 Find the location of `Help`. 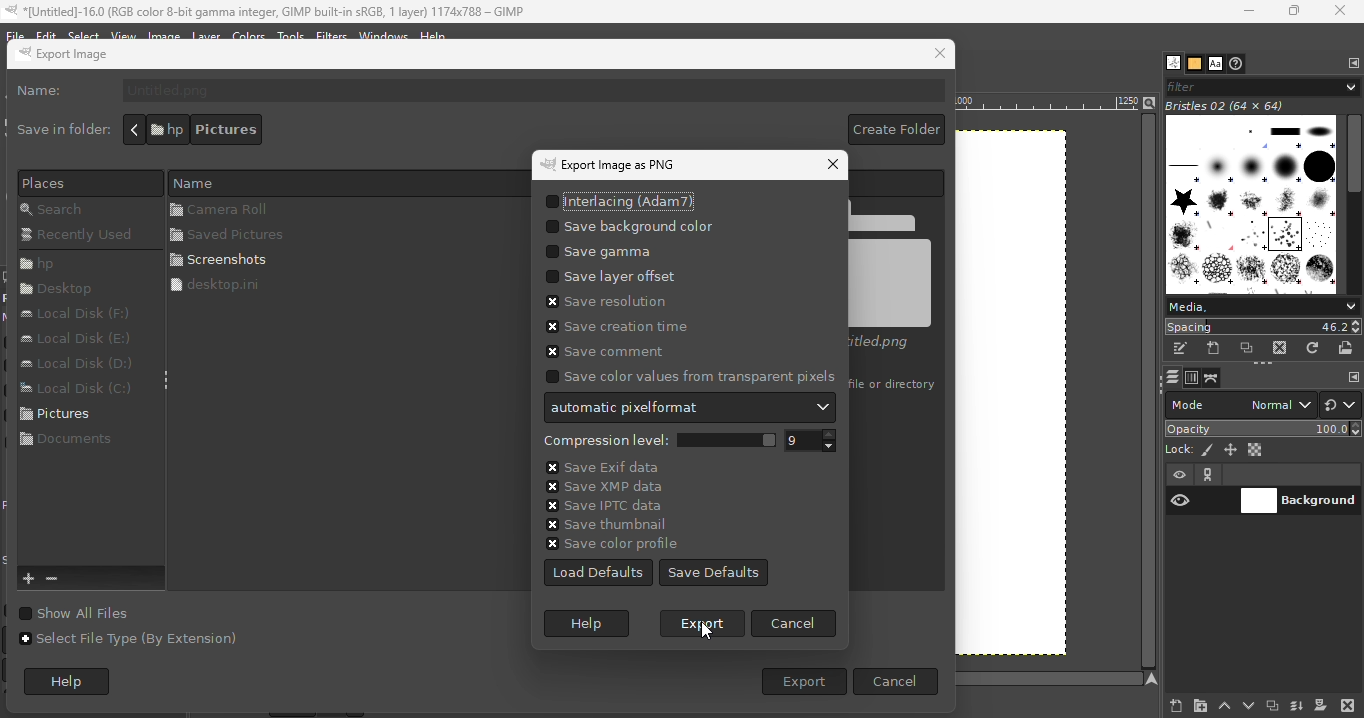

Help is located at coordinates (75, 683).